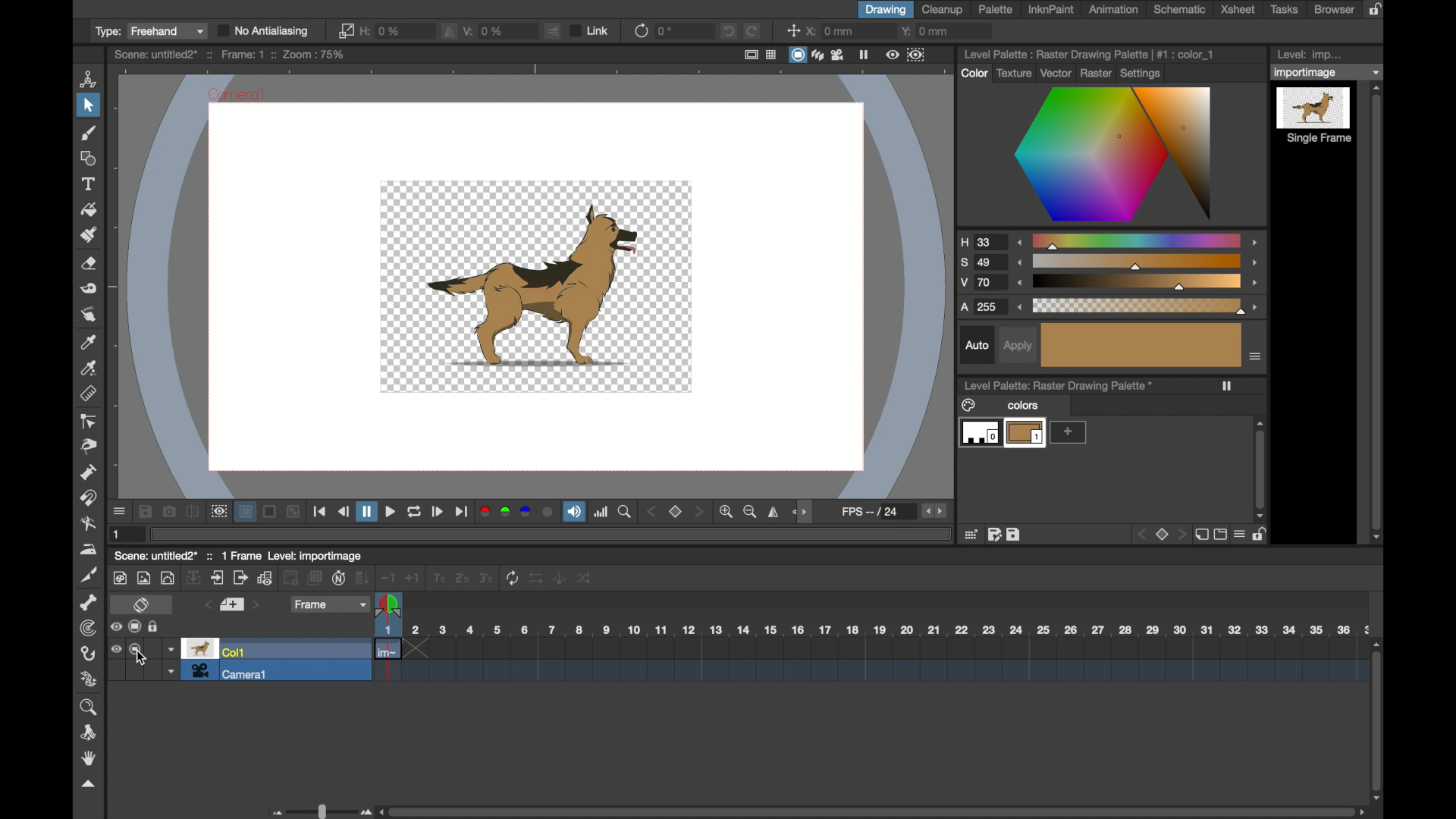  What do you see at coordinates (832, 30) in the screenshot?
I see `x` at bounding box center [832, 30].